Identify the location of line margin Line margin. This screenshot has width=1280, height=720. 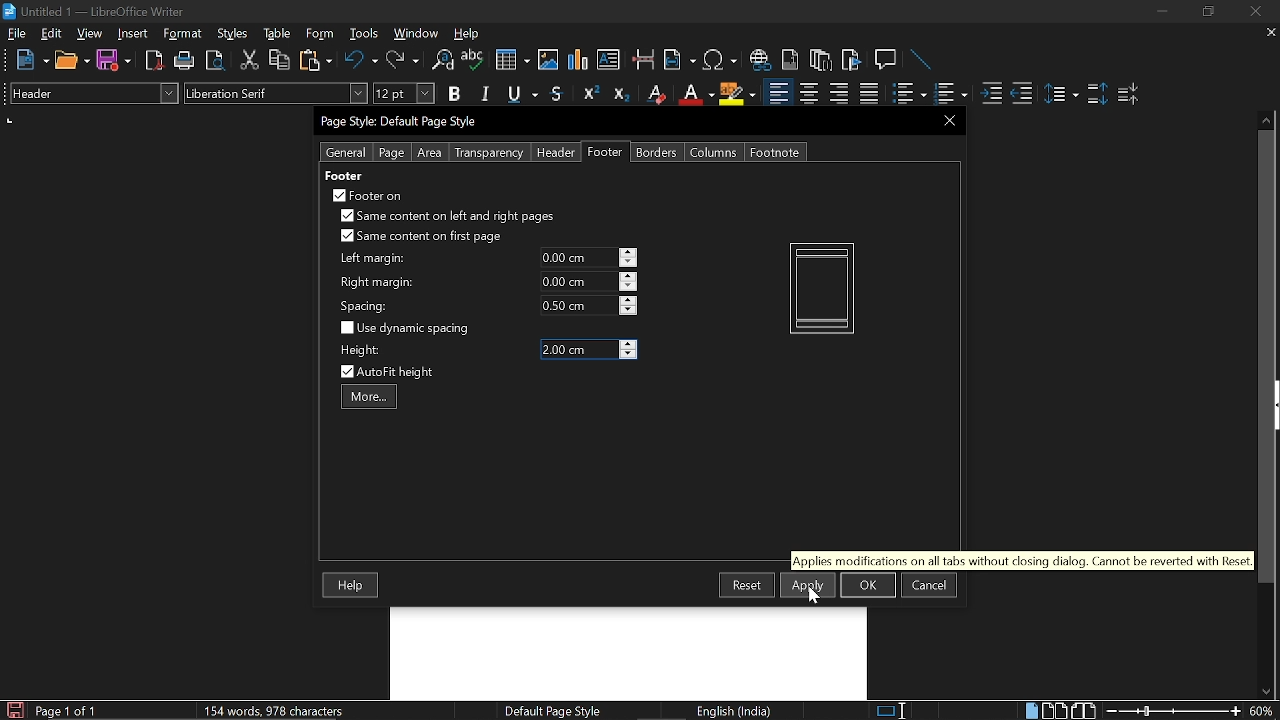
(577, 258).